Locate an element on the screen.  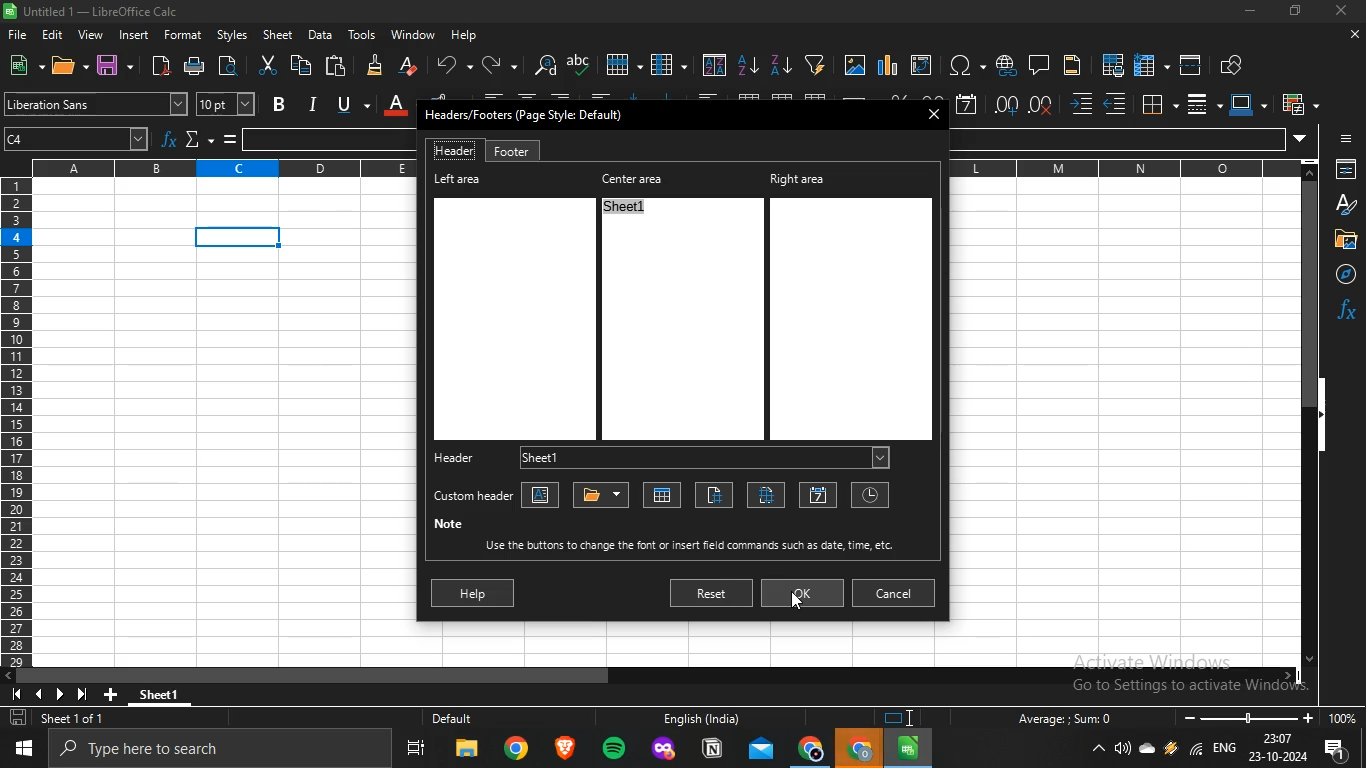
type here to search is located at coordinates (225, 750).